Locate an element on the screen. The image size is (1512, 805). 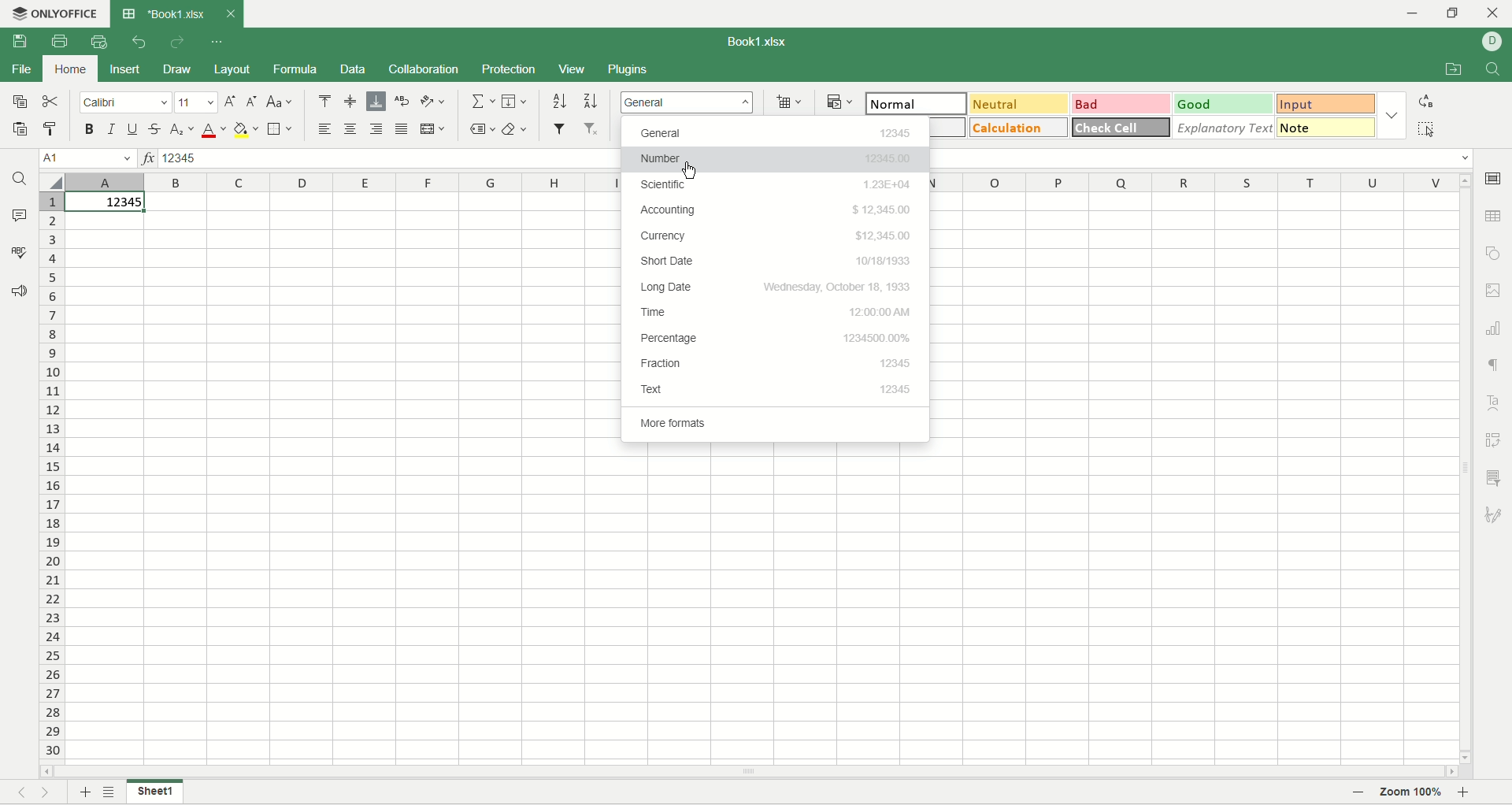
add sheet is located at coordinates (81, 792).